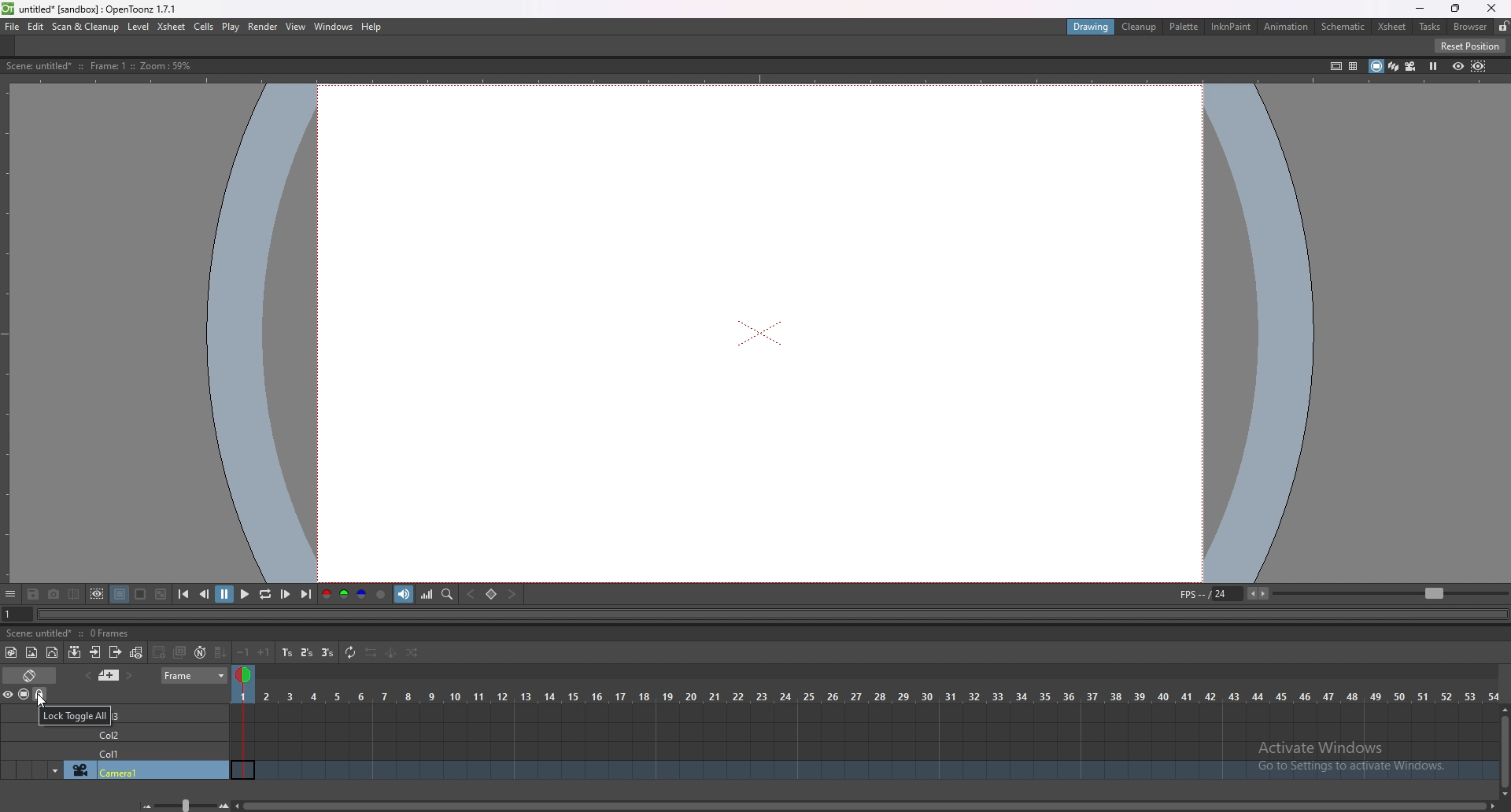 This screenshot has height=812, width=1511. Describe the element at coordinates (305, 595) in the screenshot. I see `last frame` at that location.